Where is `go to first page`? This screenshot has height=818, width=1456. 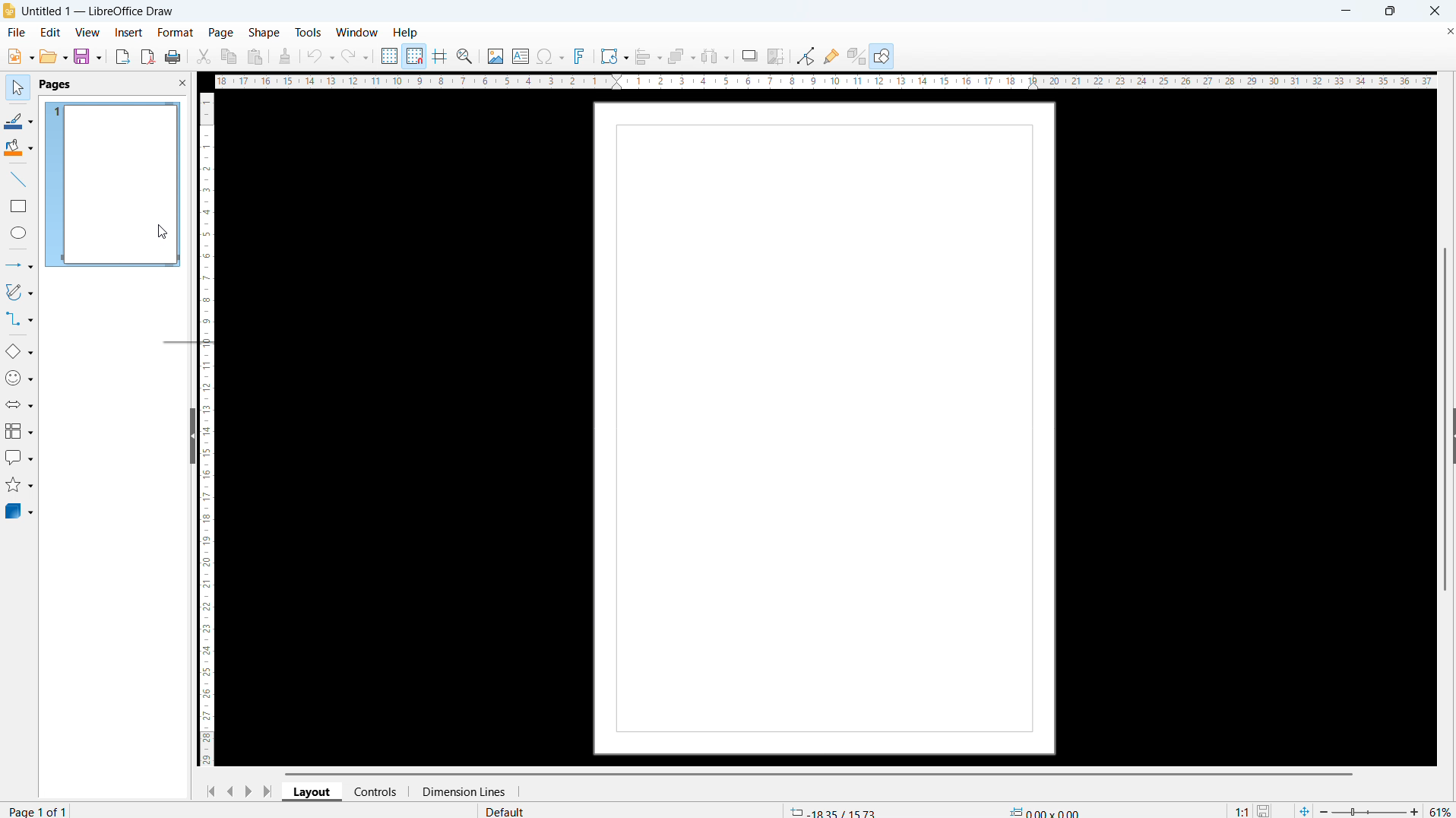
go to first page is located at coordinates (209, 791).